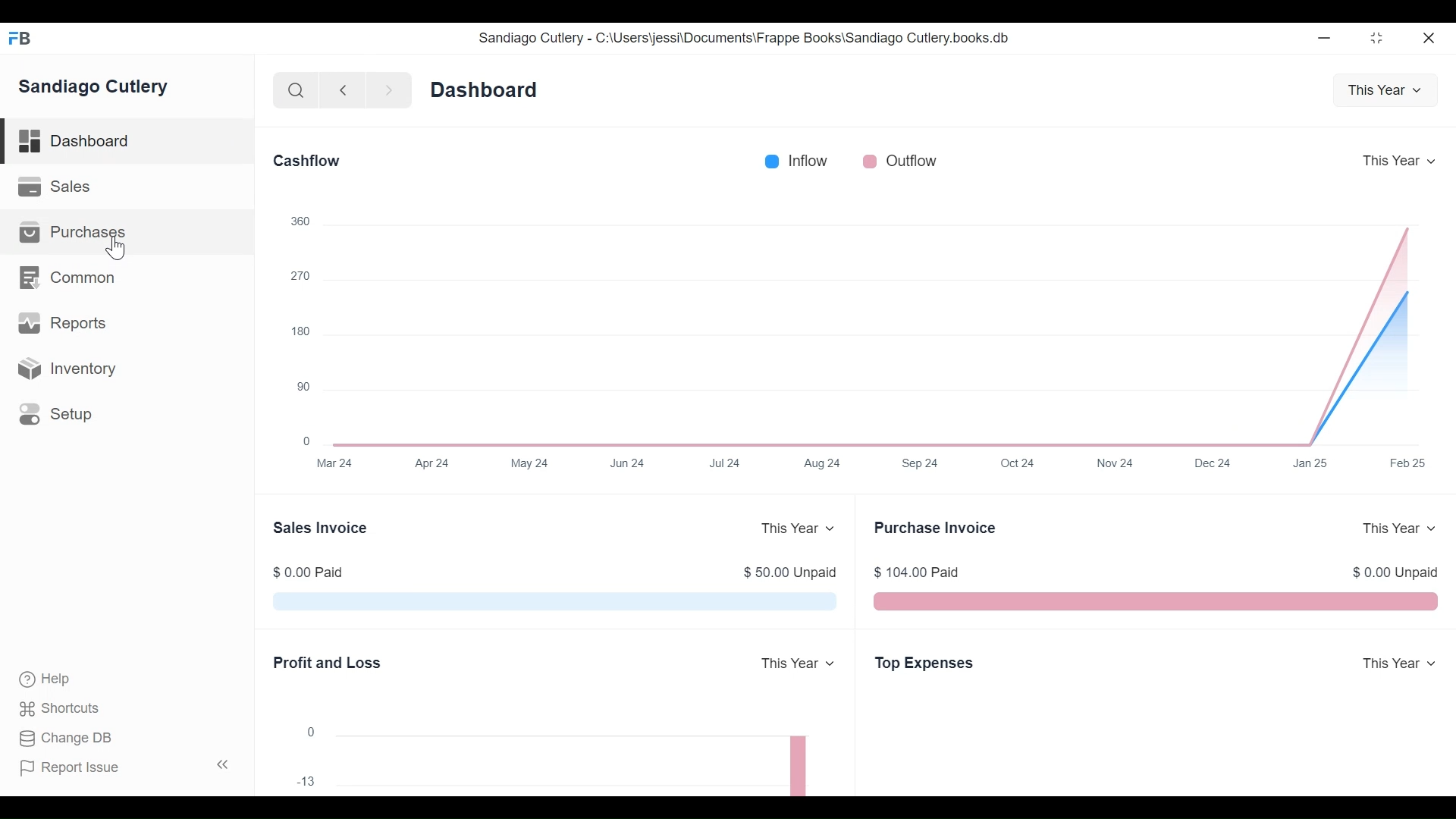 This screenshot has height=819, width=1456. I want to click on Cashflow, so click(309, 162).